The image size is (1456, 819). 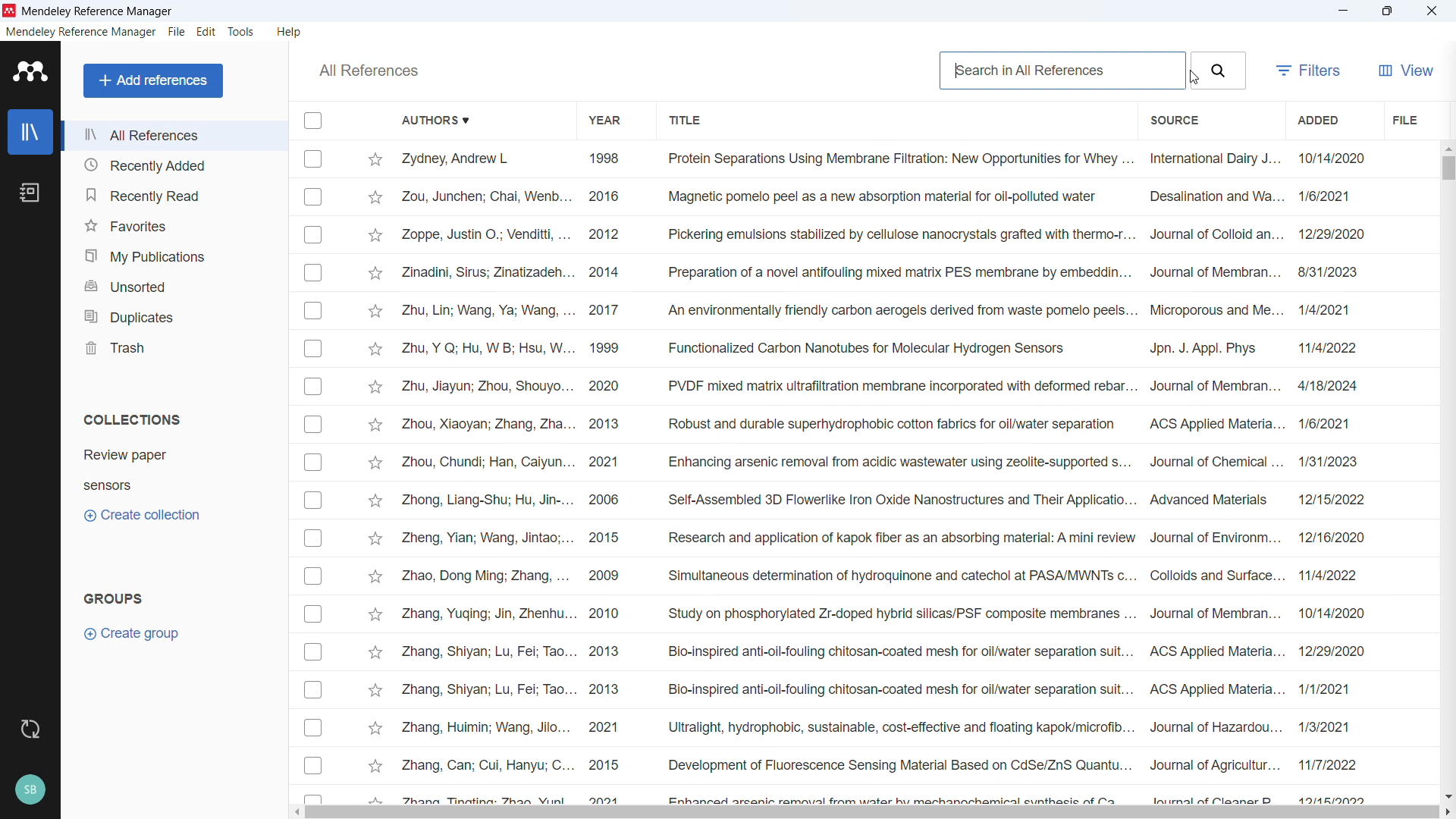 I want to click on year of publication of individual entries , so click(x=604, y=475).